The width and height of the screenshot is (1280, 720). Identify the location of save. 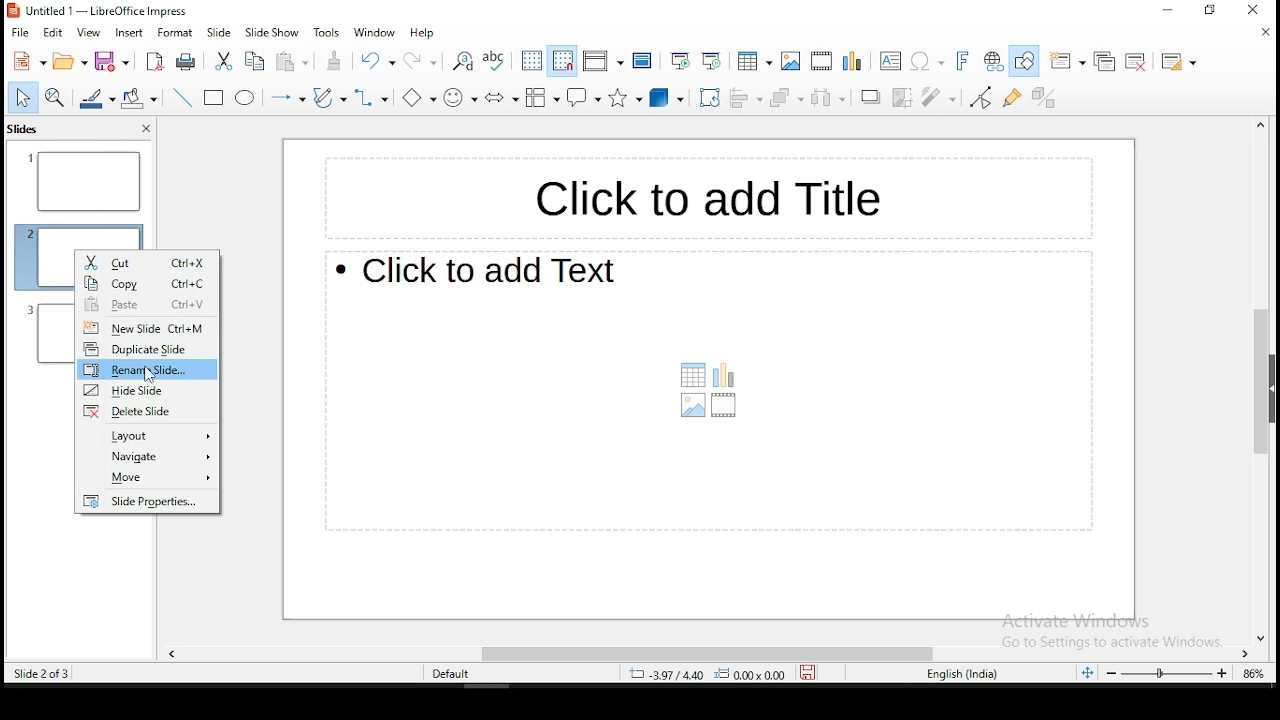
(812, 672).